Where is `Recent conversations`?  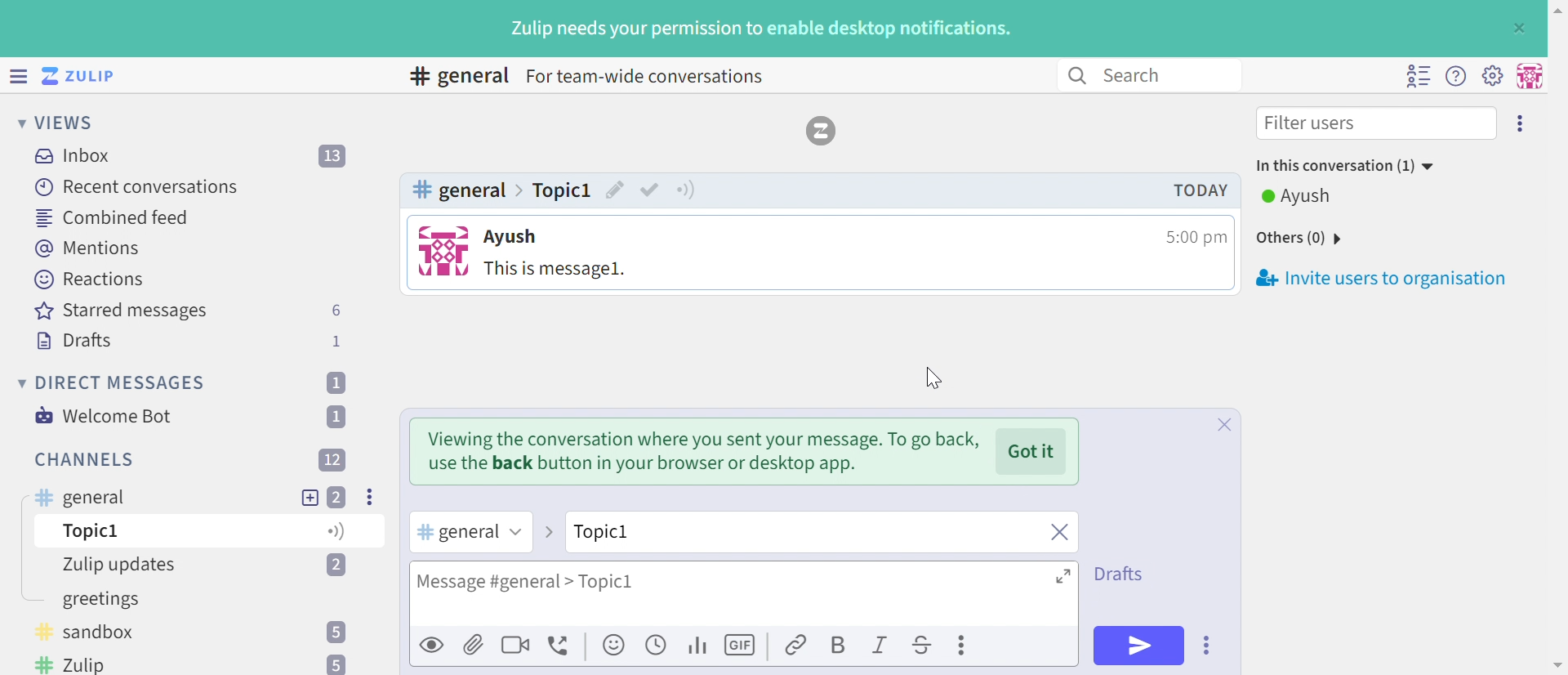 Recent conversations is located at coordinates (138, 186).